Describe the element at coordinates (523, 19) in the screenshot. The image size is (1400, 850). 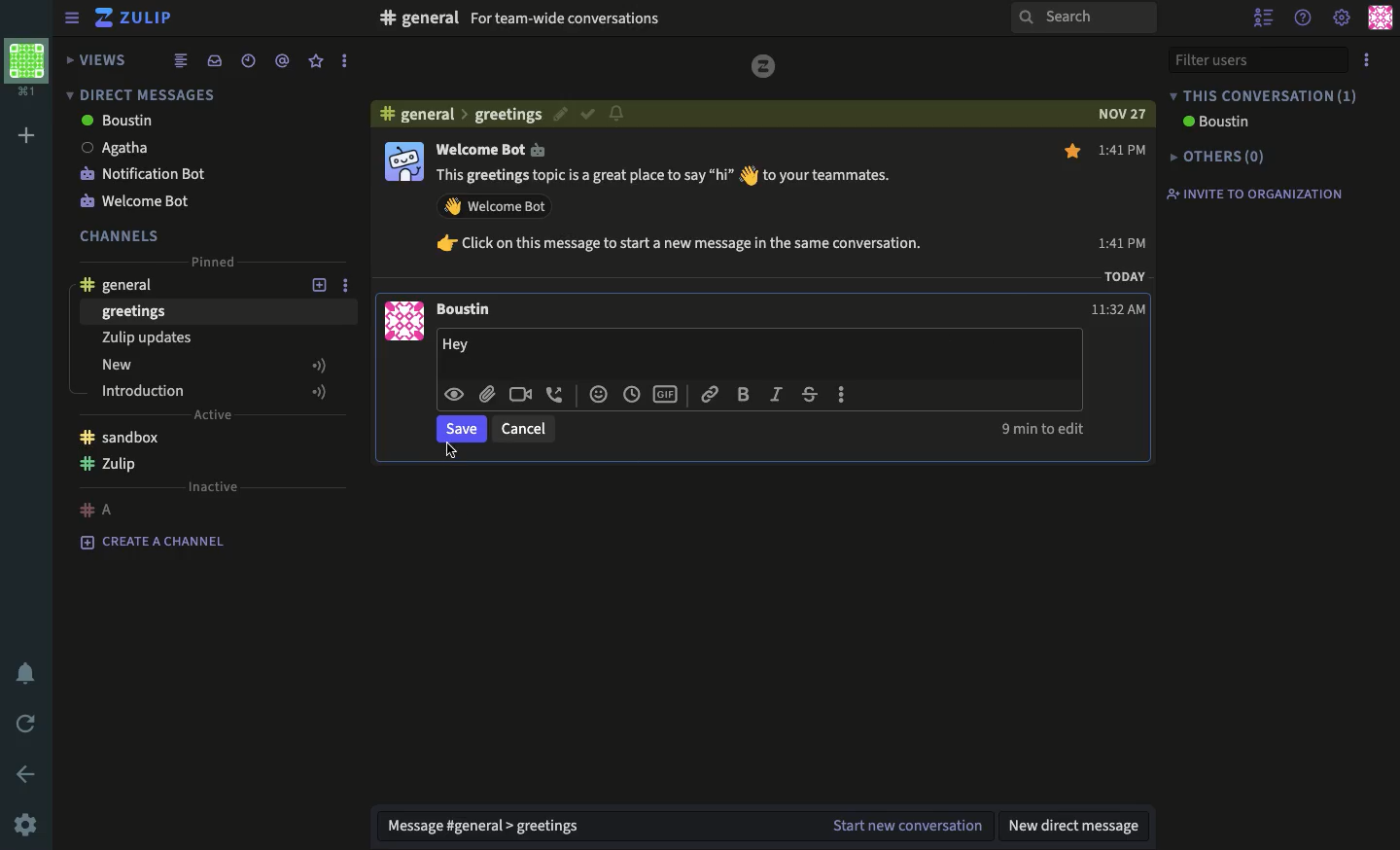
I see `general For team-wide conversations` at that location.